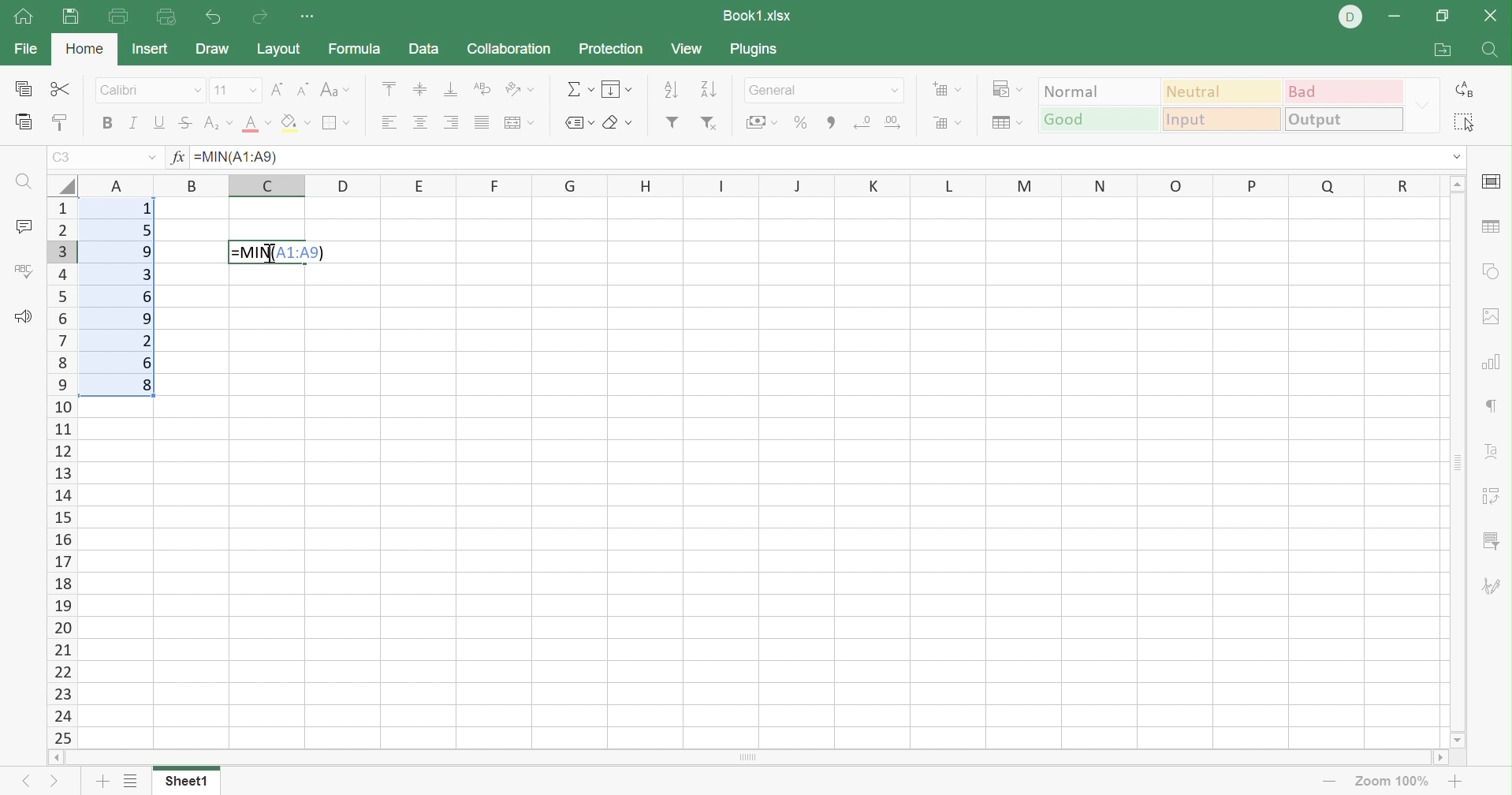 Image resolution: width=1512 pixels, height=795 pixels. Describe the element at coordinates (577, 123) in the screenshot. I see `Named ranges` at that location.